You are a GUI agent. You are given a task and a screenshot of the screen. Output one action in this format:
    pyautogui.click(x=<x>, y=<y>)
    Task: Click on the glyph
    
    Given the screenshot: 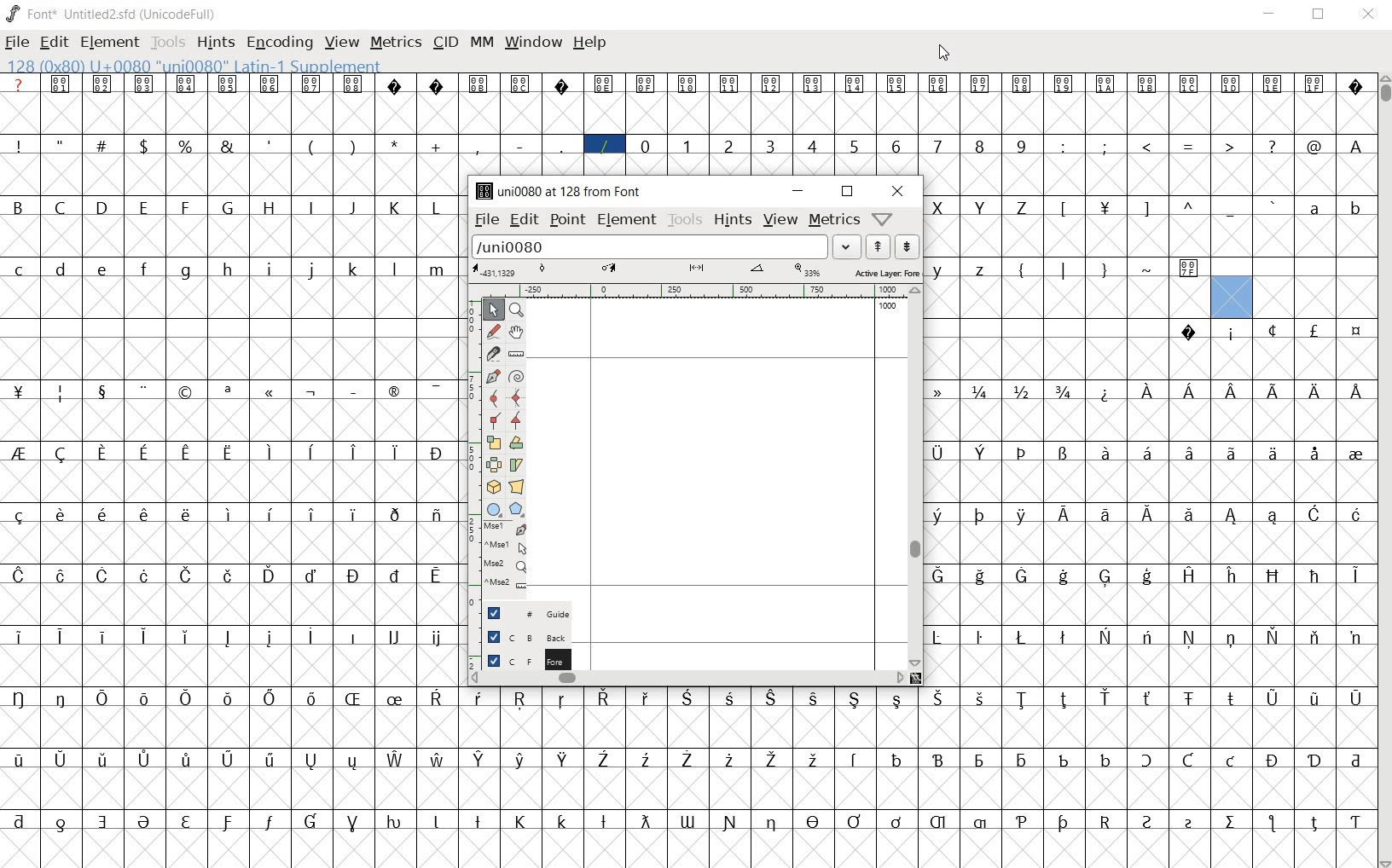 What is the action you would take?
    pyautogui.click(x=311, y=761)
    